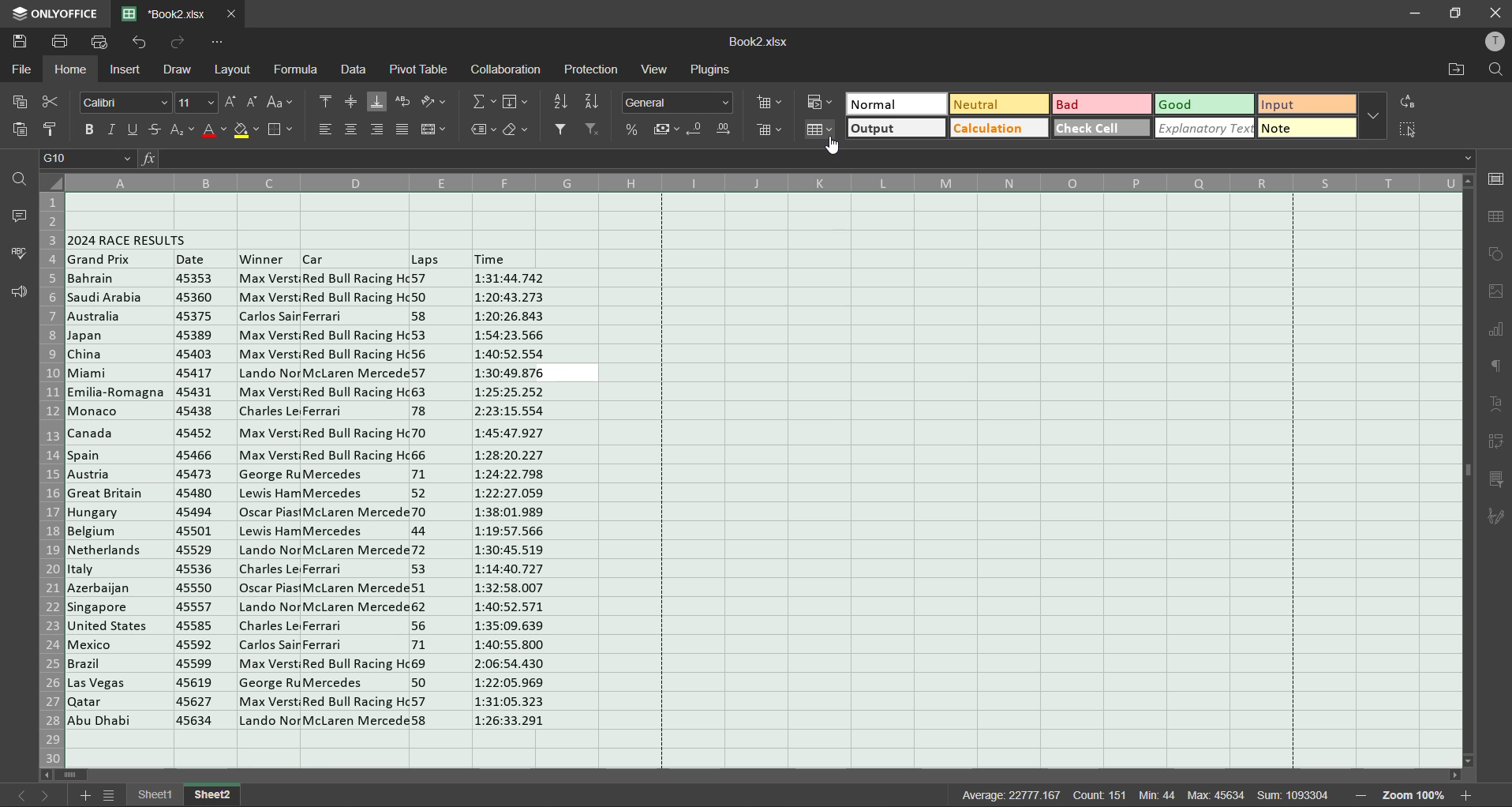 This screenshot has height=807, width=1512. Describe the element at coordinates (593, 128) in the screenshot. I see `clear filter` at that location.